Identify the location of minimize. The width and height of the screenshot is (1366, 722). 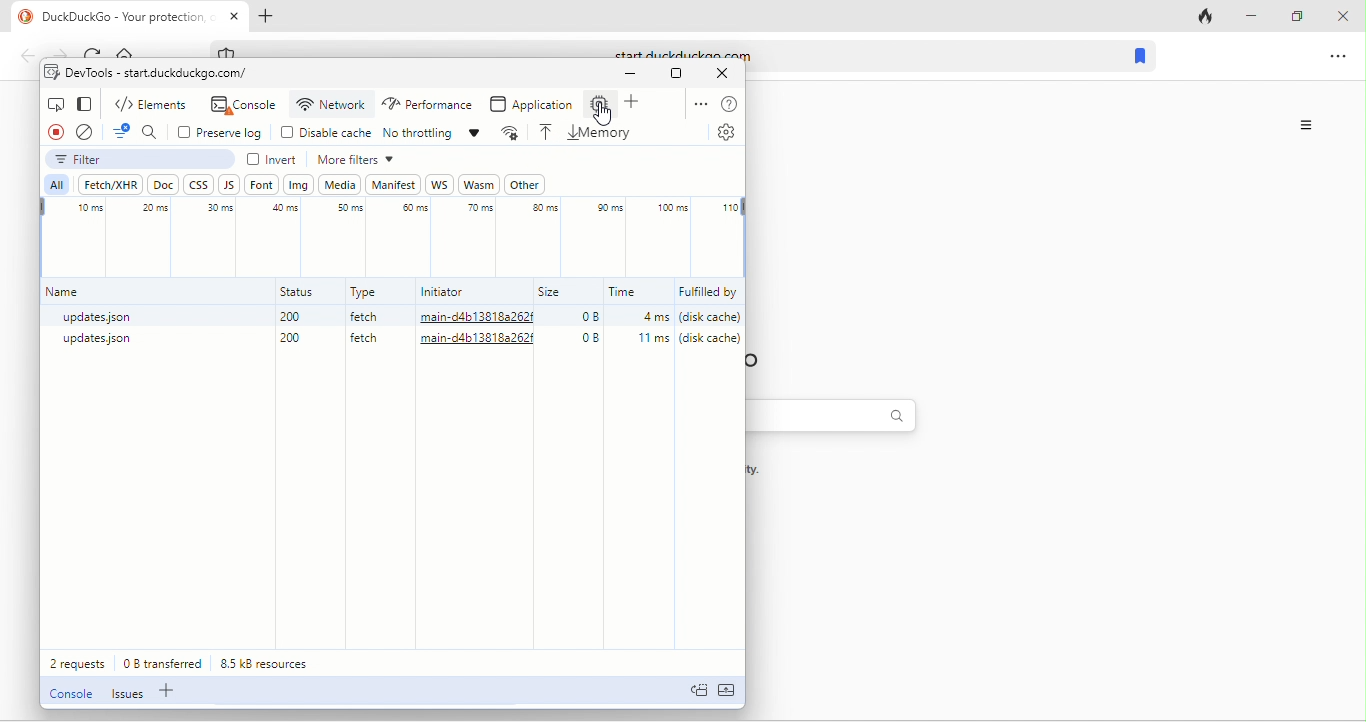
(638, 76).